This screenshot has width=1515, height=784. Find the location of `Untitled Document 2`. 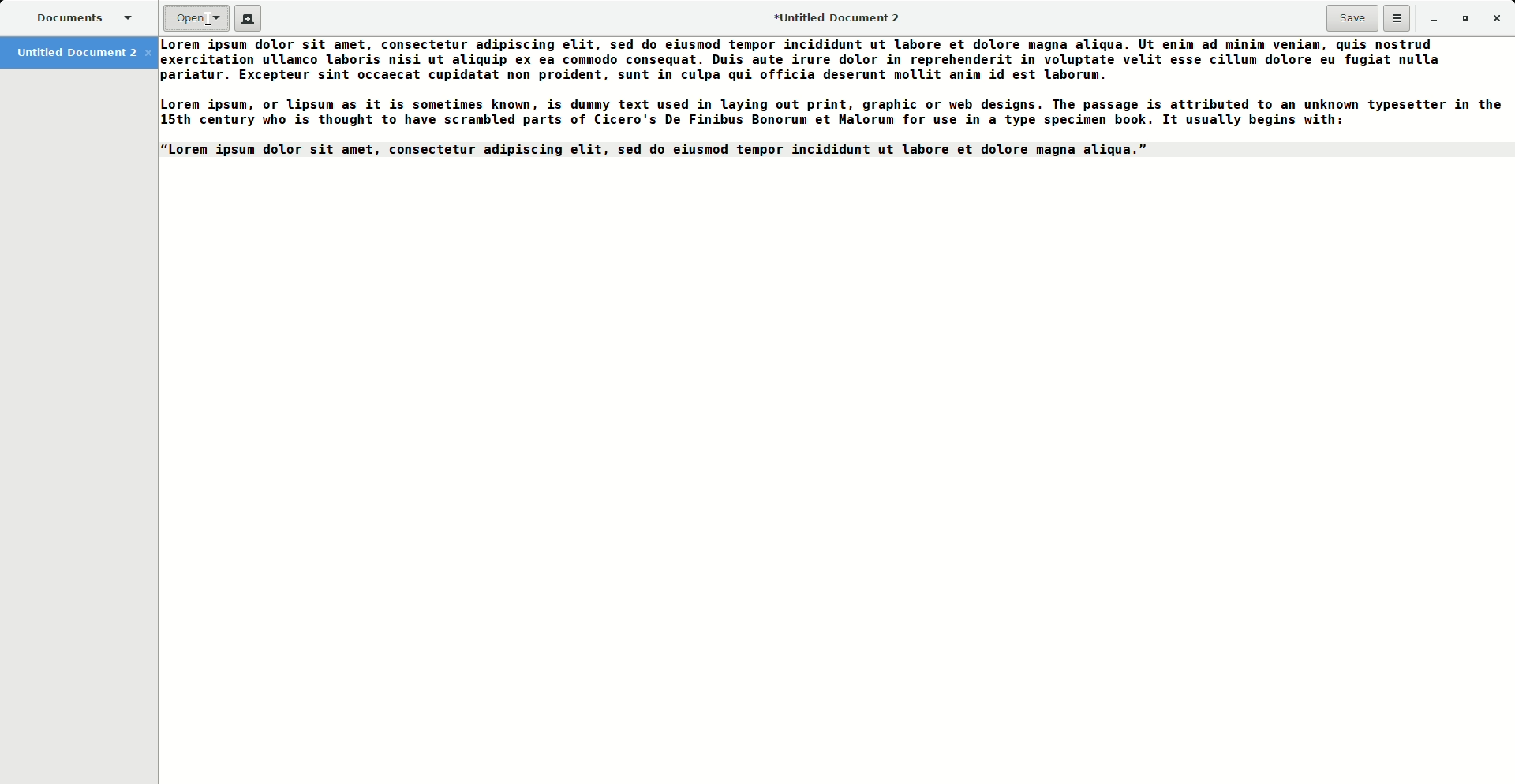

Untitled Document 2 is located at coordinates (78, 54).